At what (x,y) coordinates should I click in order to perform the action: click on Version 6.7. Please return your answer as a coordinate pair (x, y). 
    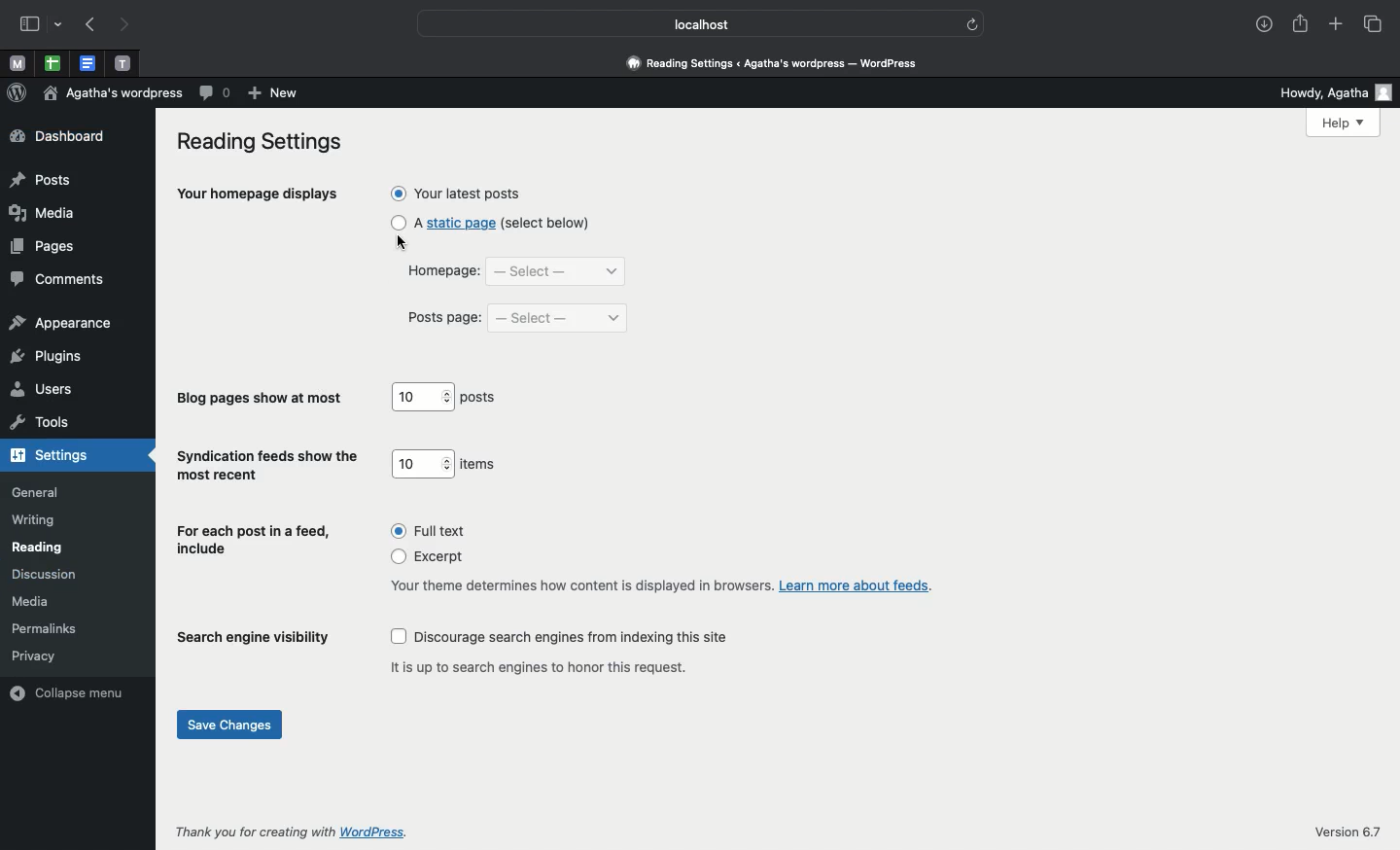
    Looking at the image, I should click on (1351, 832).